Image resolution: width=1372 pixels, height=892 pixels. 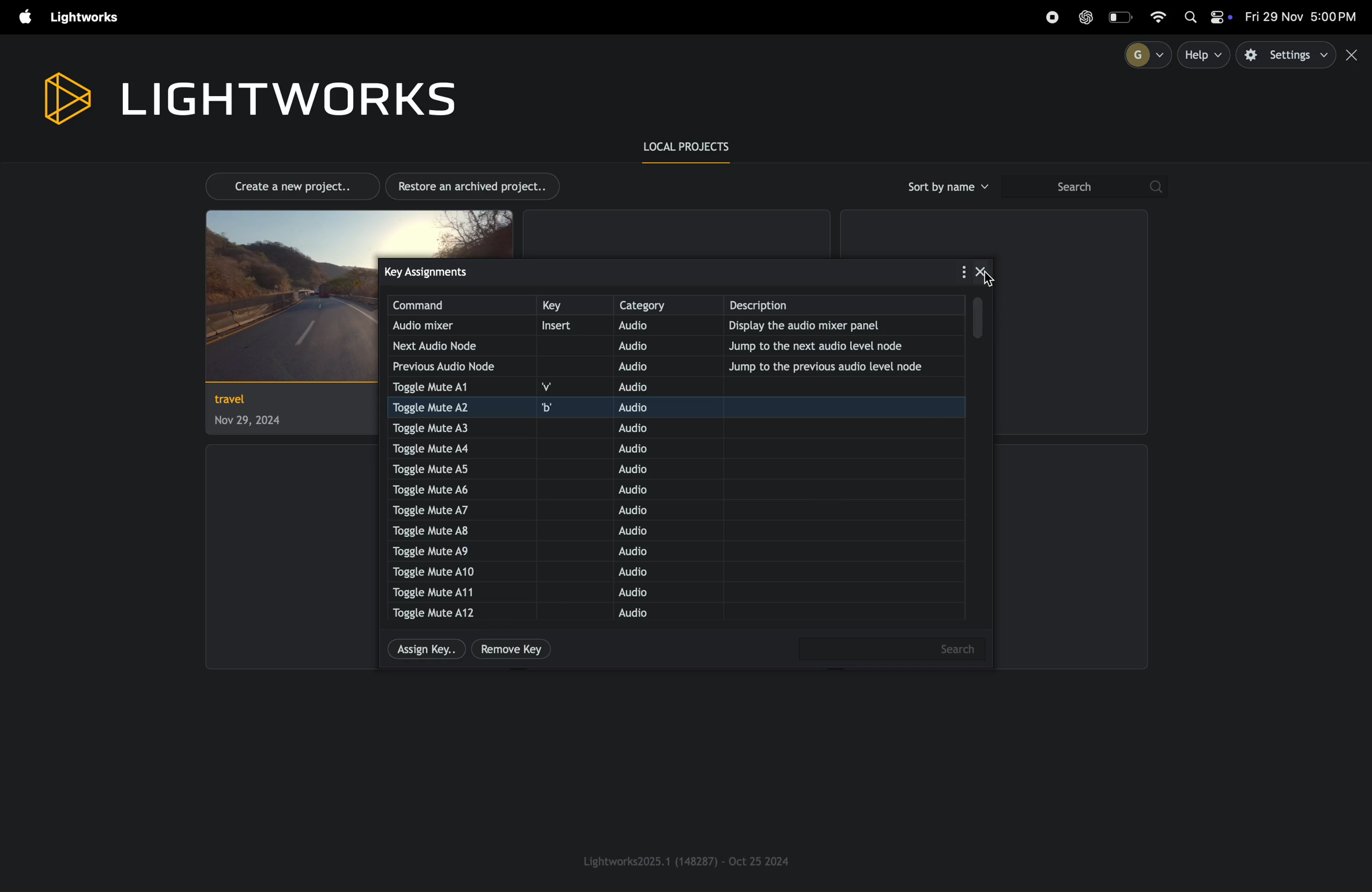 What do you see at coordinates (1287, 55) in the screenshot?
I see `settings` at bounding box center [1287, 55].